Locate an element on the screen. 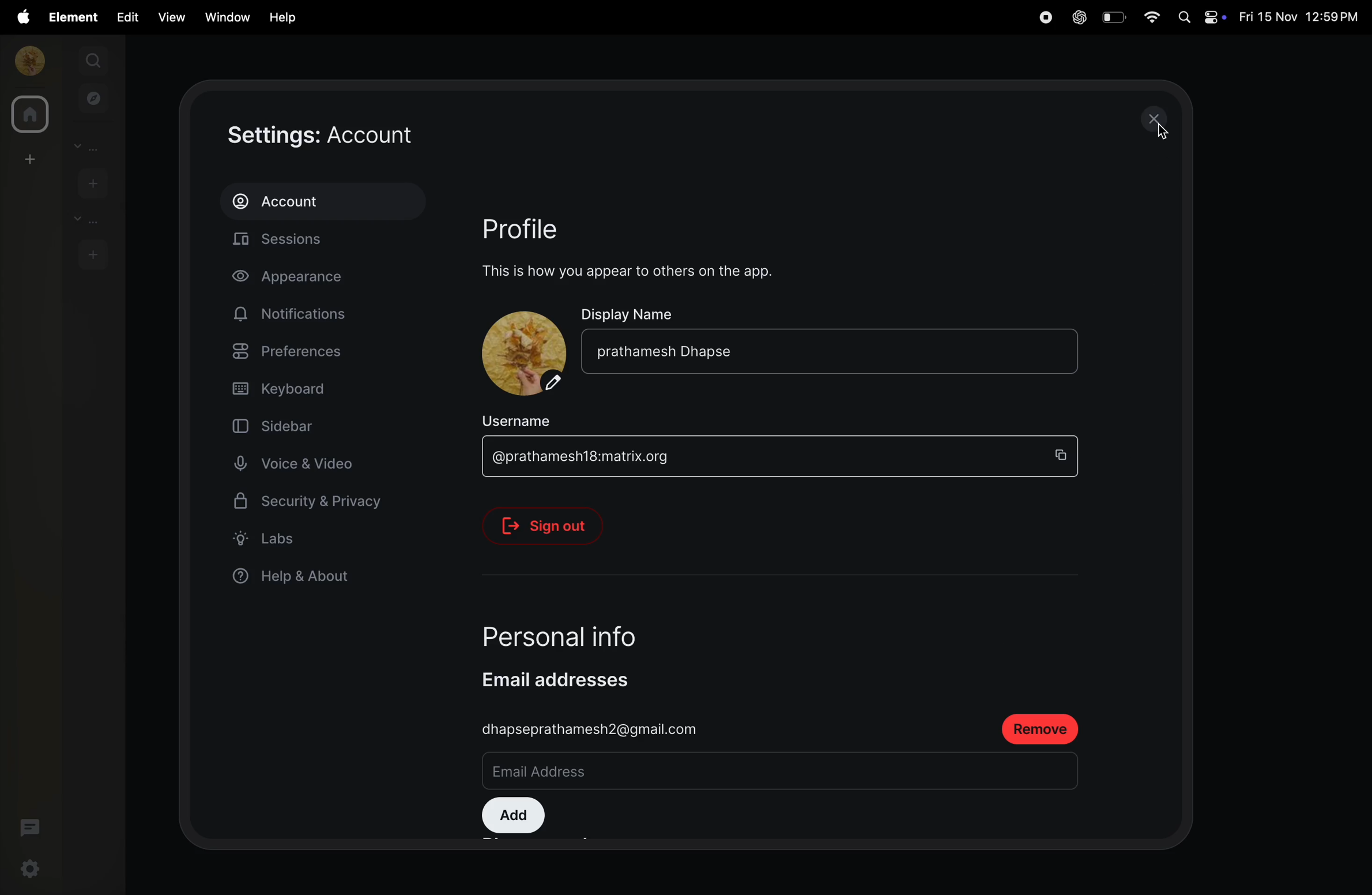 The width and height of the screenshot is (1372, 895). add is located at coordinates (27, 159).